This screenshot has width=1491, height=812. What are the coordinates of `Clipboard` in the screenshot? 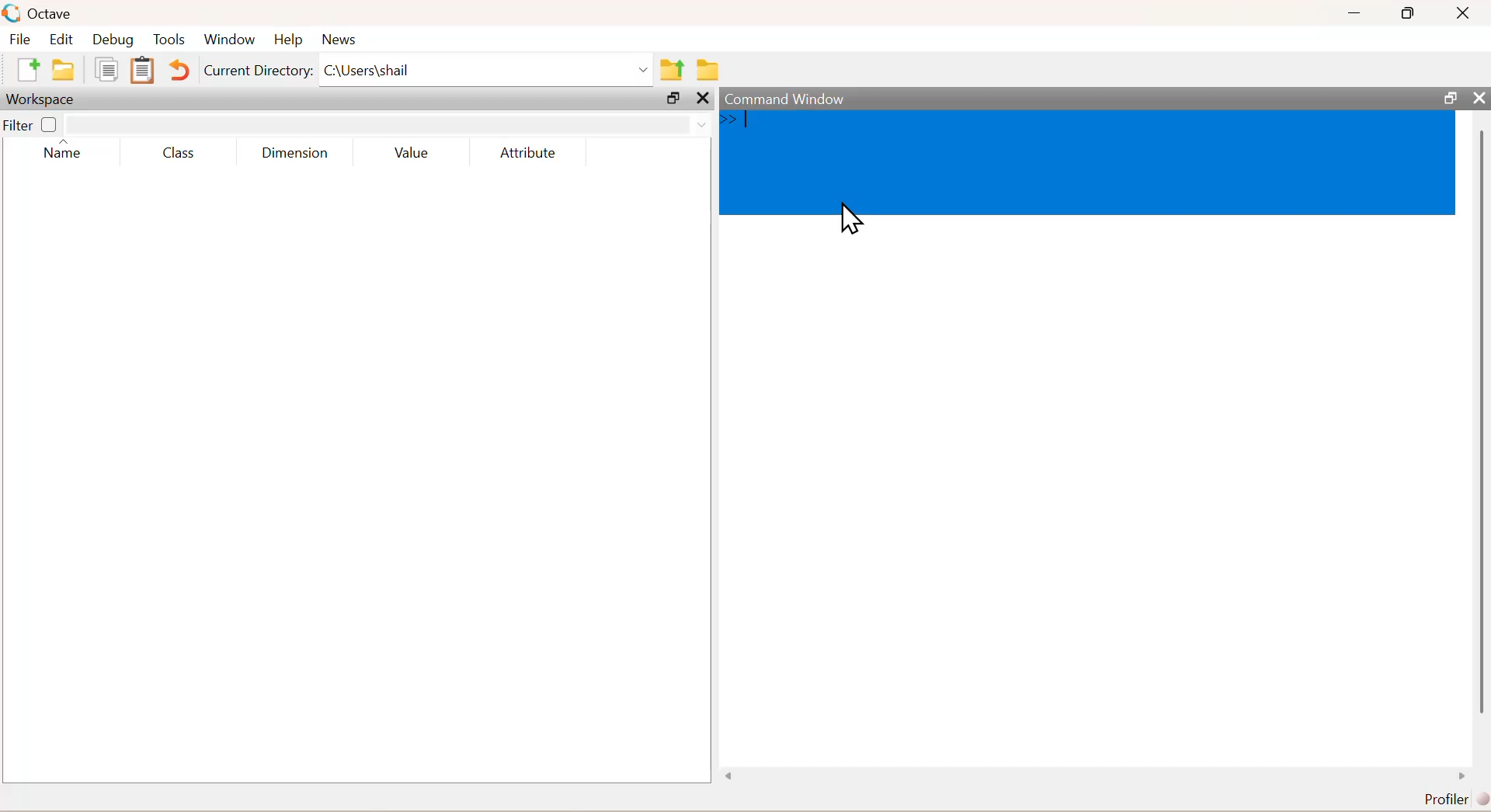 It's located at (143, 70).